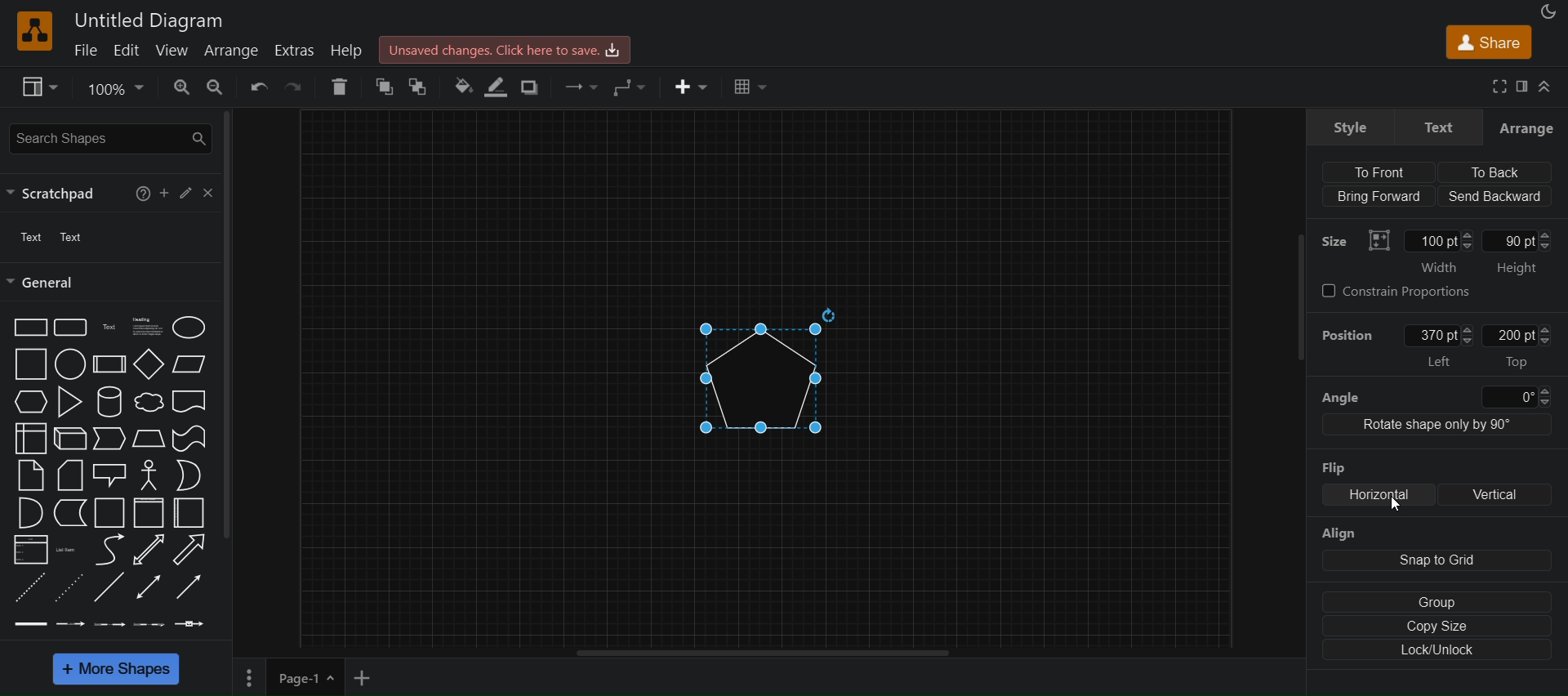 The width and height of the screenshot is (1568, 696). What do you see at coordinates (149, 475) in the screenshot?
I see `Actor` at bounding box center [149, 475].